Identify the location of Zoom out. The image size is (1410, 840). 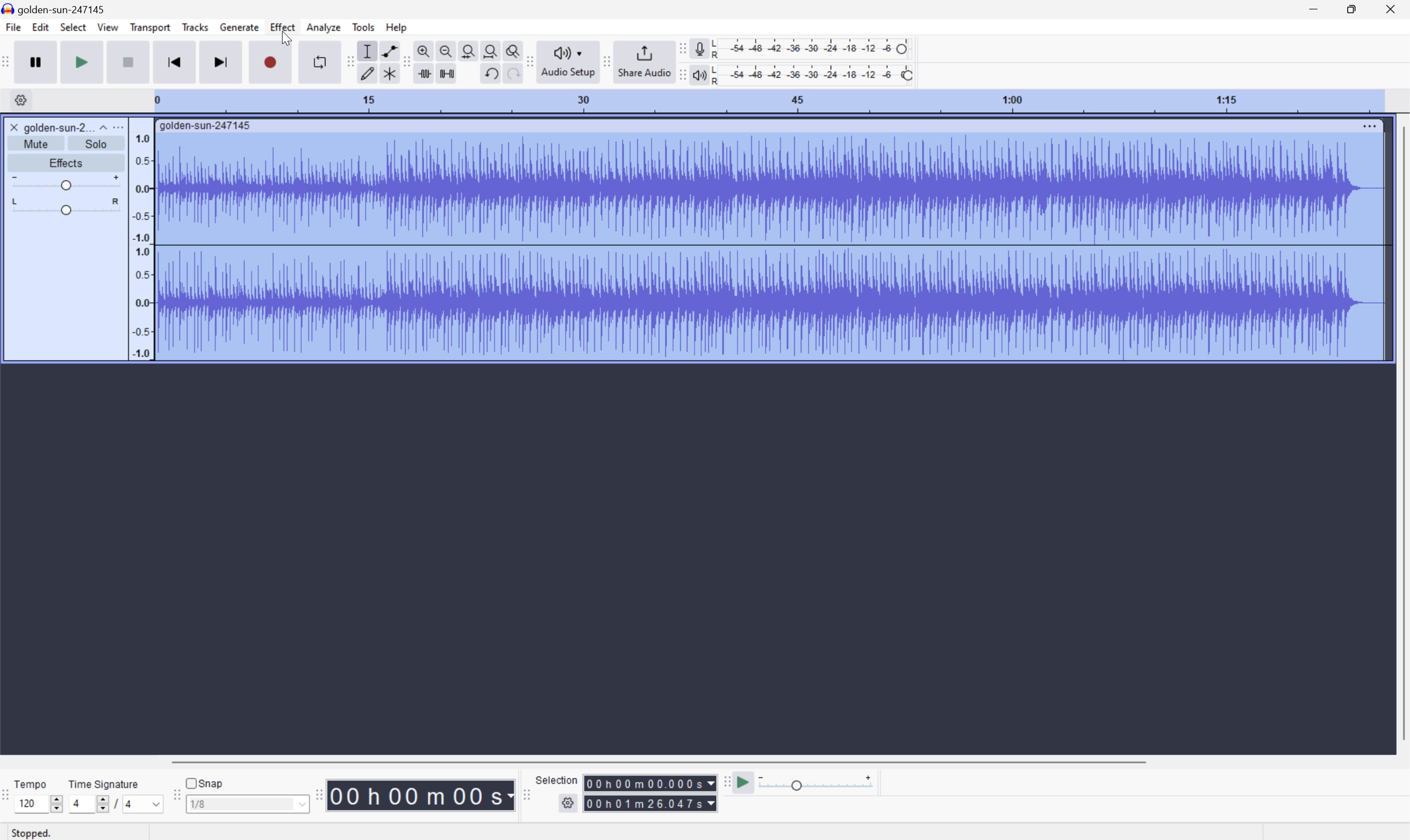
(446, 50).